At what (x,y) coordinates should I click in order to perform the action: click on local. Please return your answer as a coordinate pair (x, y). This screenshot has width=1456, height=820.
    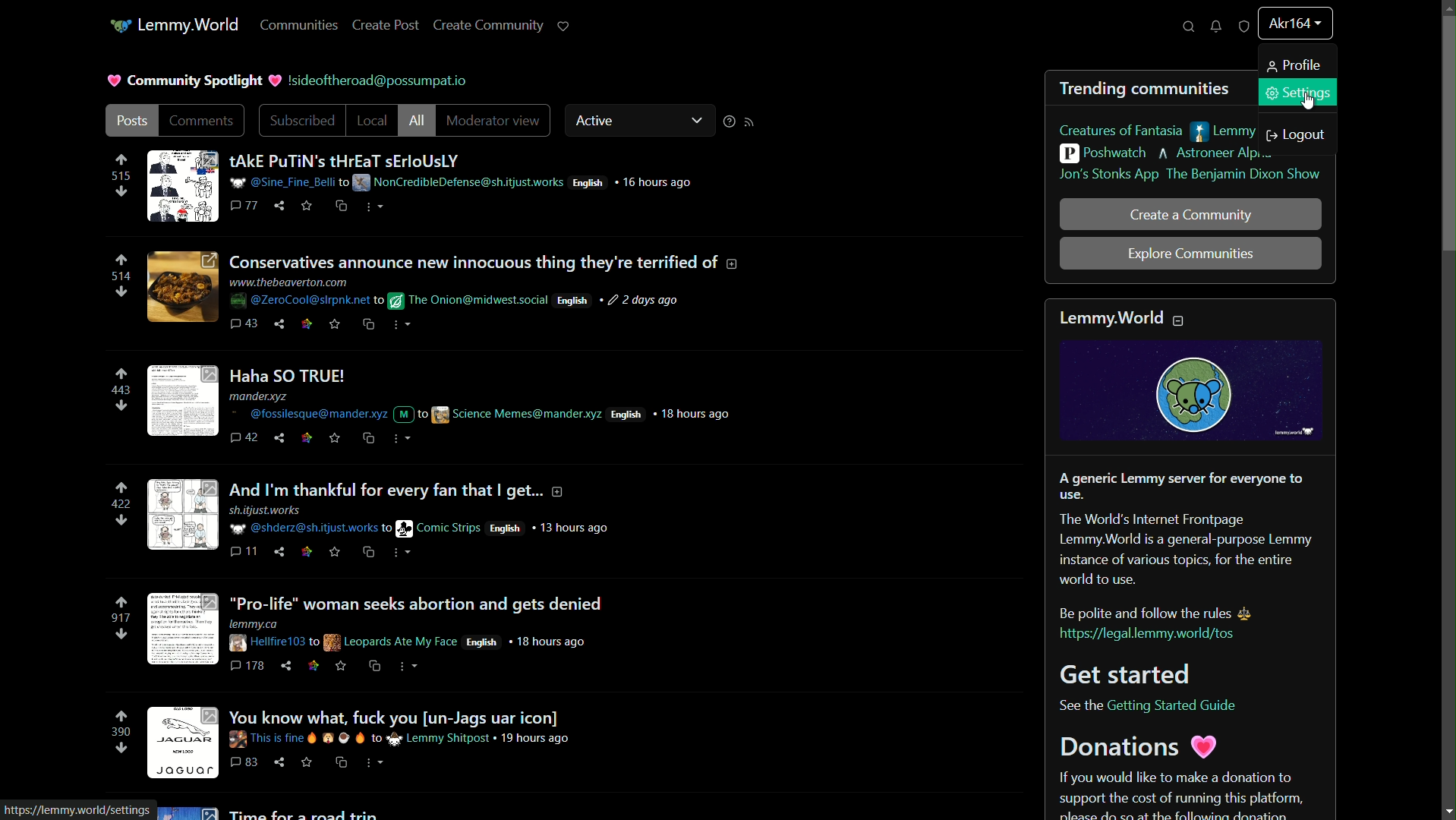
    Looking at the image, I should click on (370, 119).